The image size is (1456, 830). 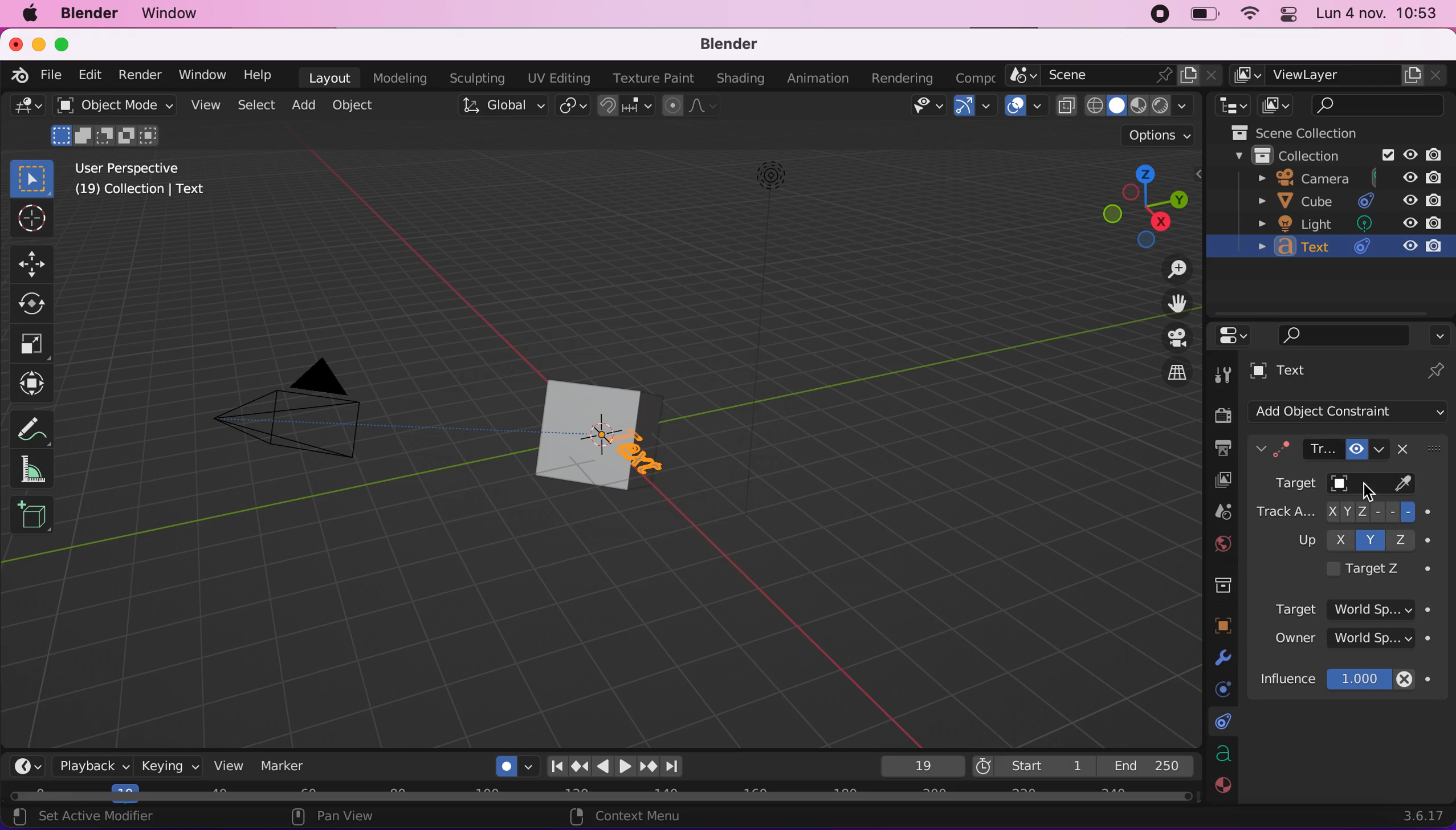 What do you see at coordinates (821, 78) in the screenshot?
I see `animation` at bounding box center [821, 78].